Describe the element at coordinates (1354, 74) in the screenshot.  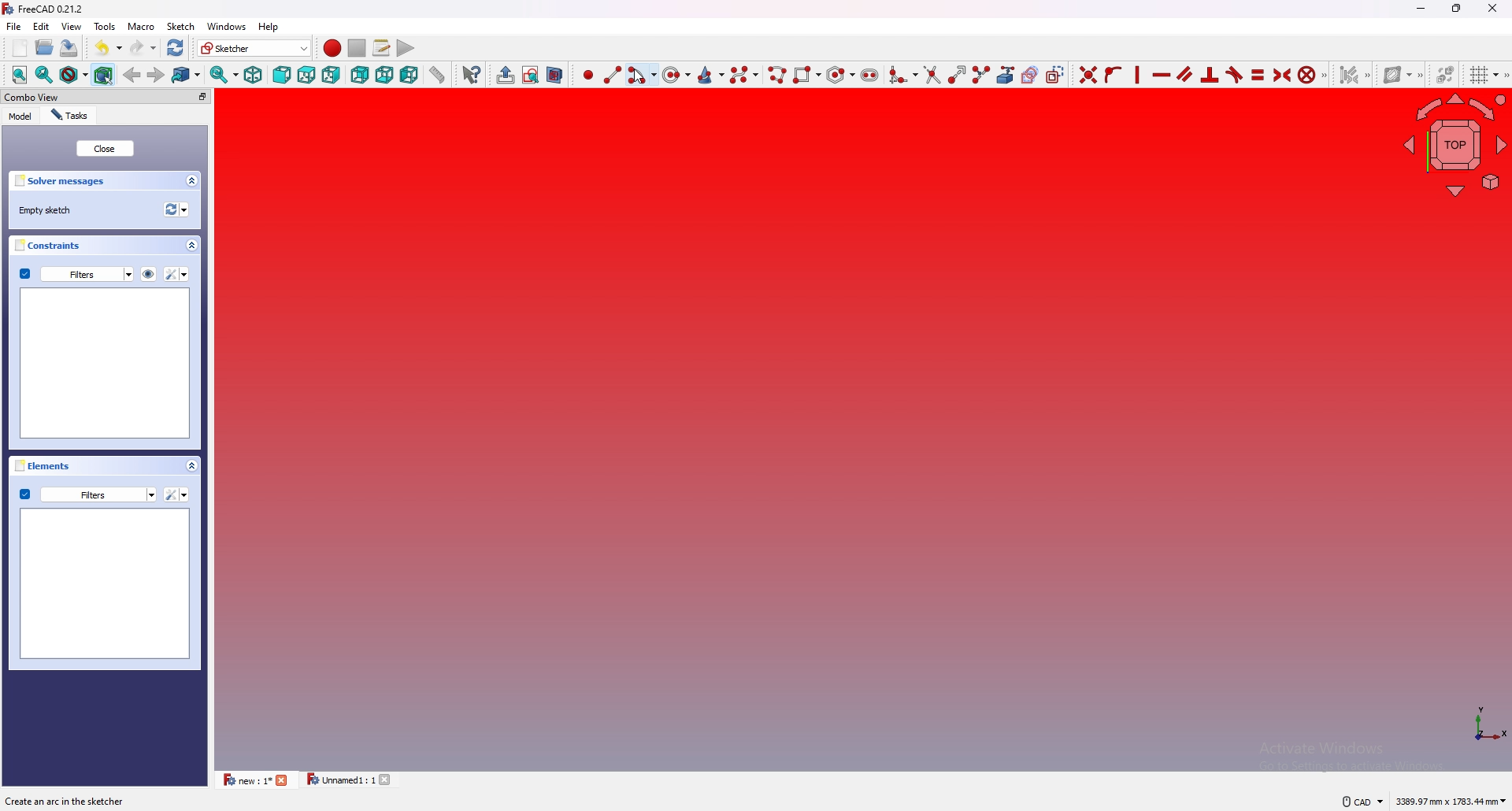
I see `select associated constraints` at that location.